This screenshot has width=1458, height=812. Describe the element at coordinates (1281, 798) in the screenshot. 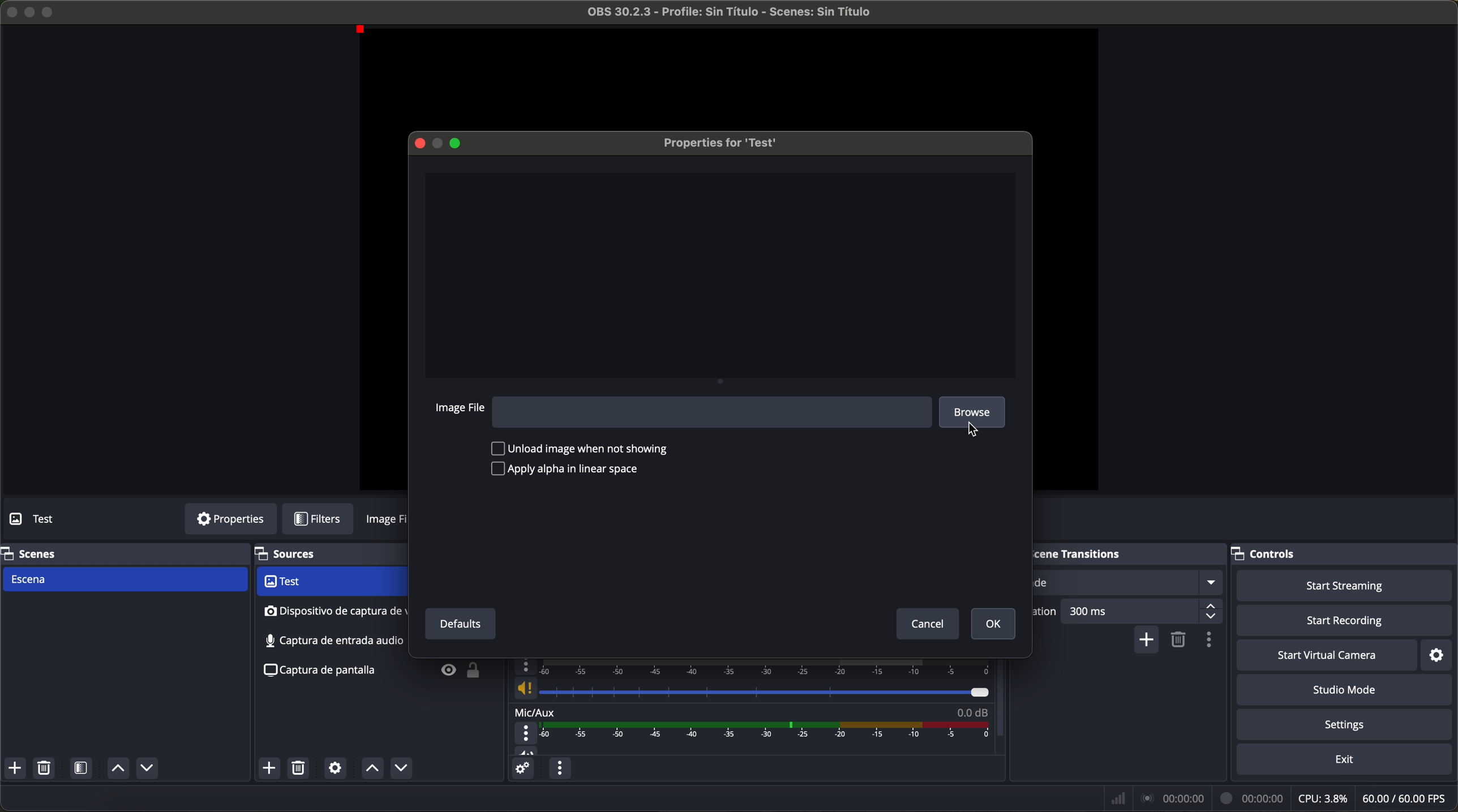

I see `data` at that location.